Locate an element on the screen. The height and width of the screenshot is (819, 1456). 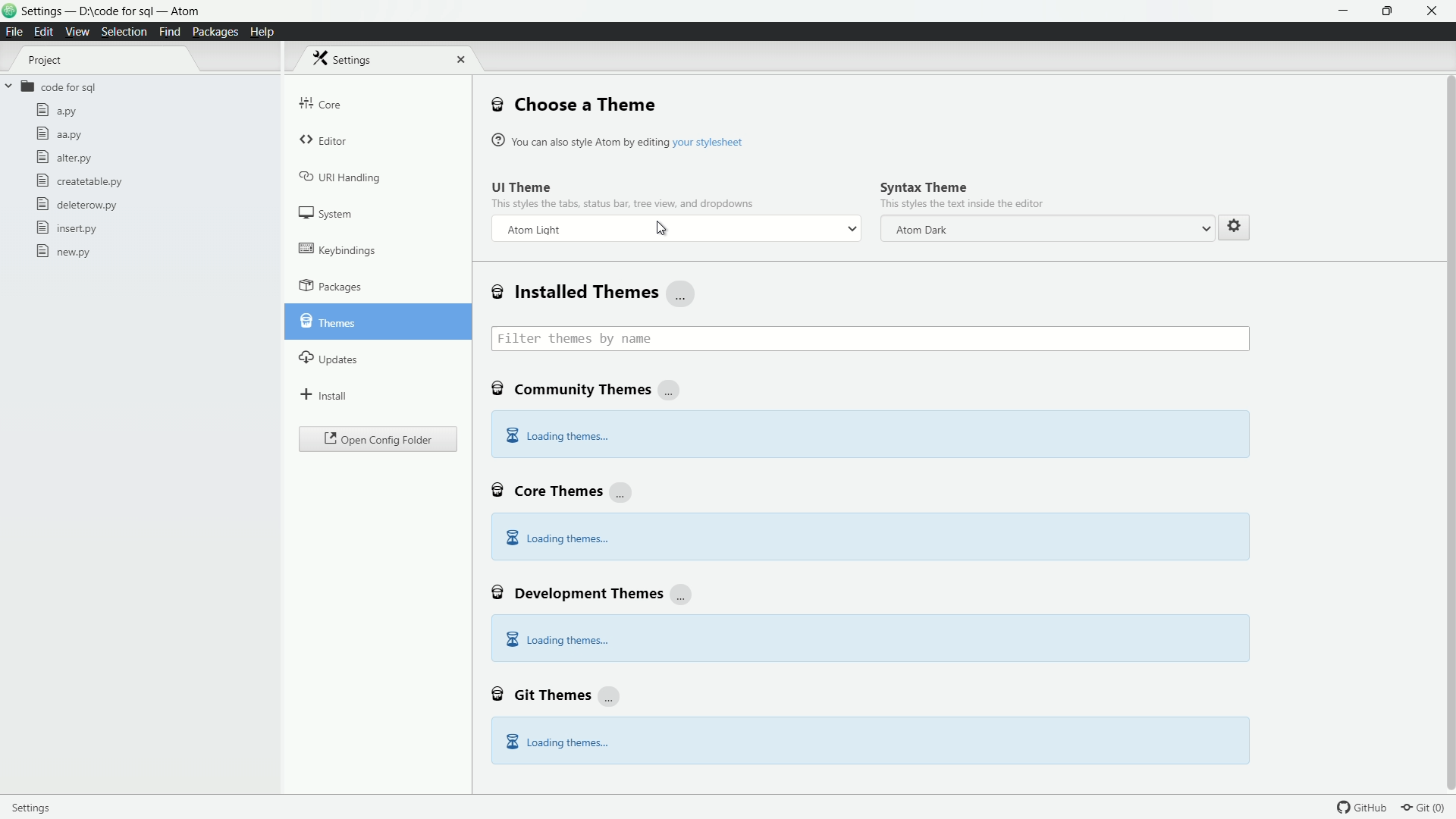
view menu is located at coordinates (76, 32).